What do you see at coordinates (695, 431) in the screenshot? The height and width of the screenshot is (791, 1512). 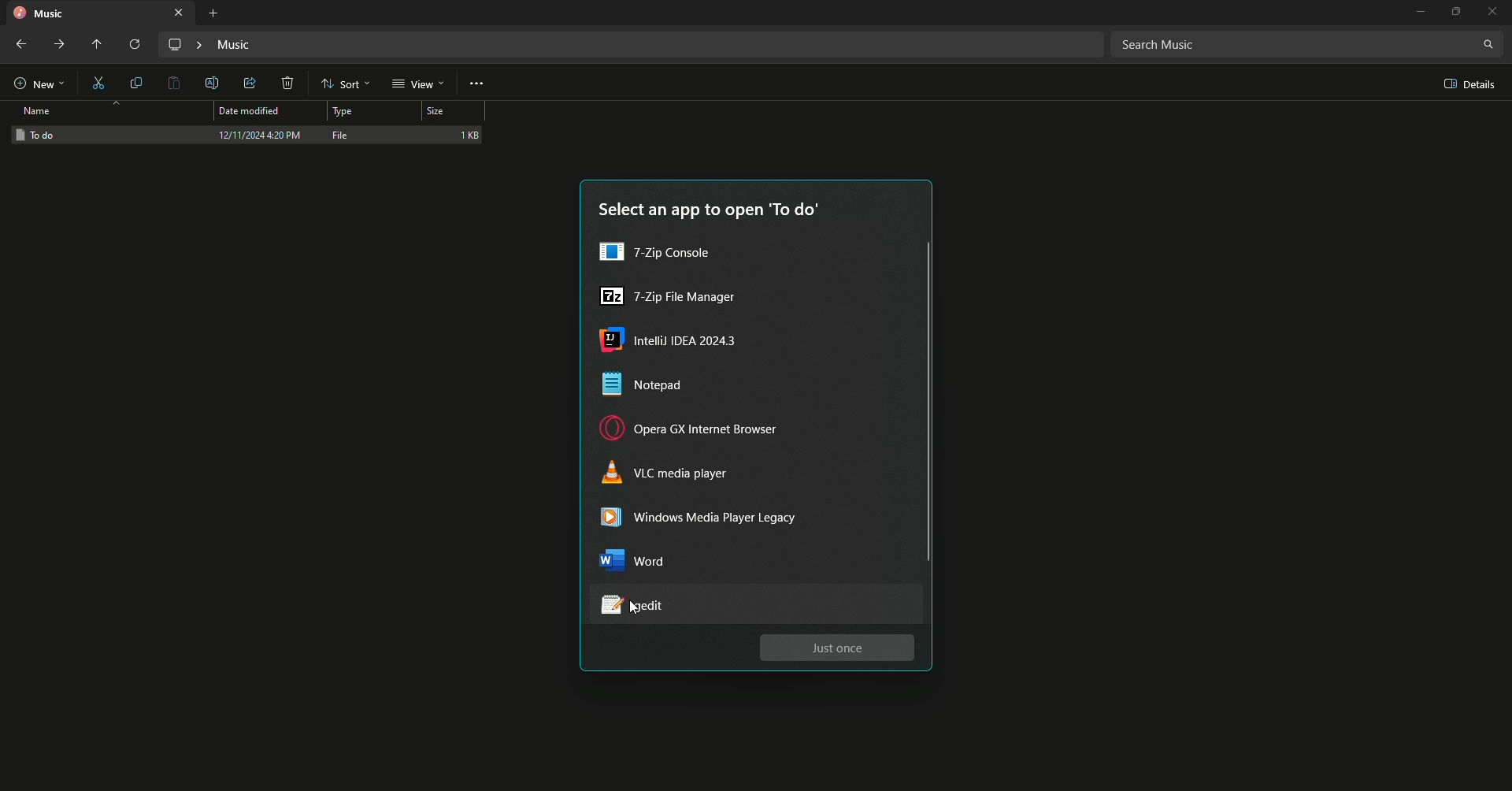 I see `Opera` at bounding box center [695, 431].